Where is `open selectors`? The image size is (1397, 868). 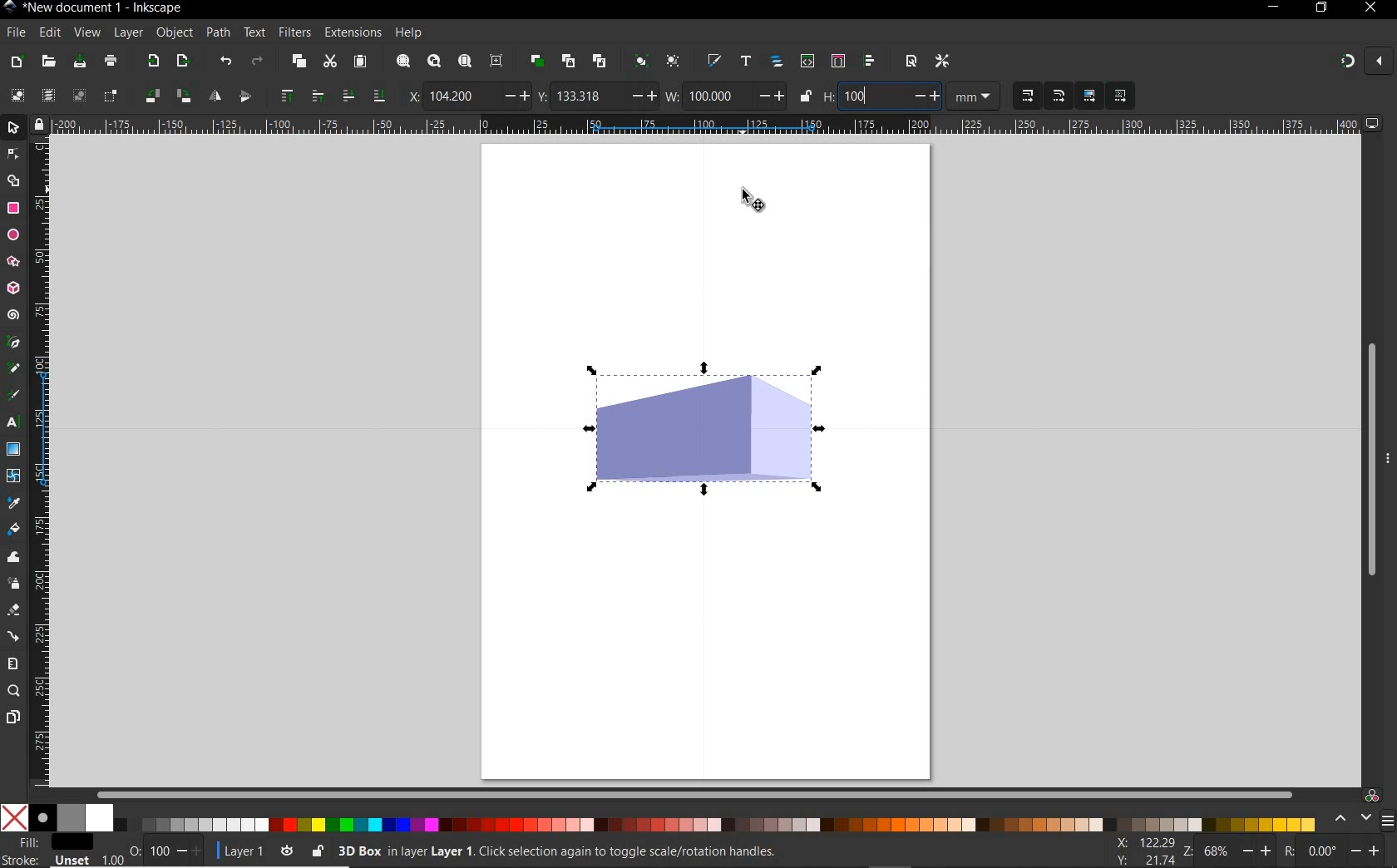 open selectors is located at coordinates (837, 60).